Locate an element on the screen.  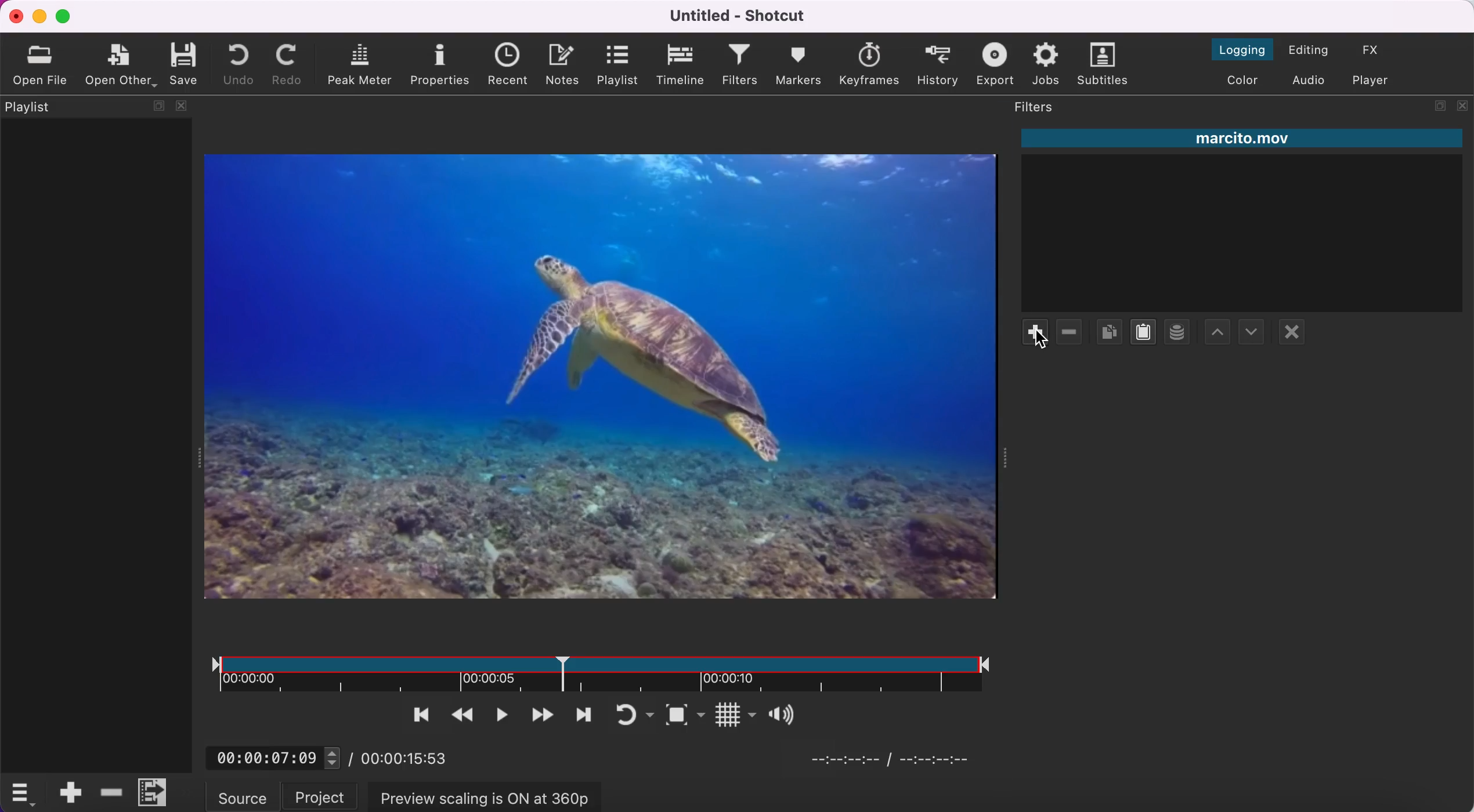
notes is located at coordinates (566, 66).